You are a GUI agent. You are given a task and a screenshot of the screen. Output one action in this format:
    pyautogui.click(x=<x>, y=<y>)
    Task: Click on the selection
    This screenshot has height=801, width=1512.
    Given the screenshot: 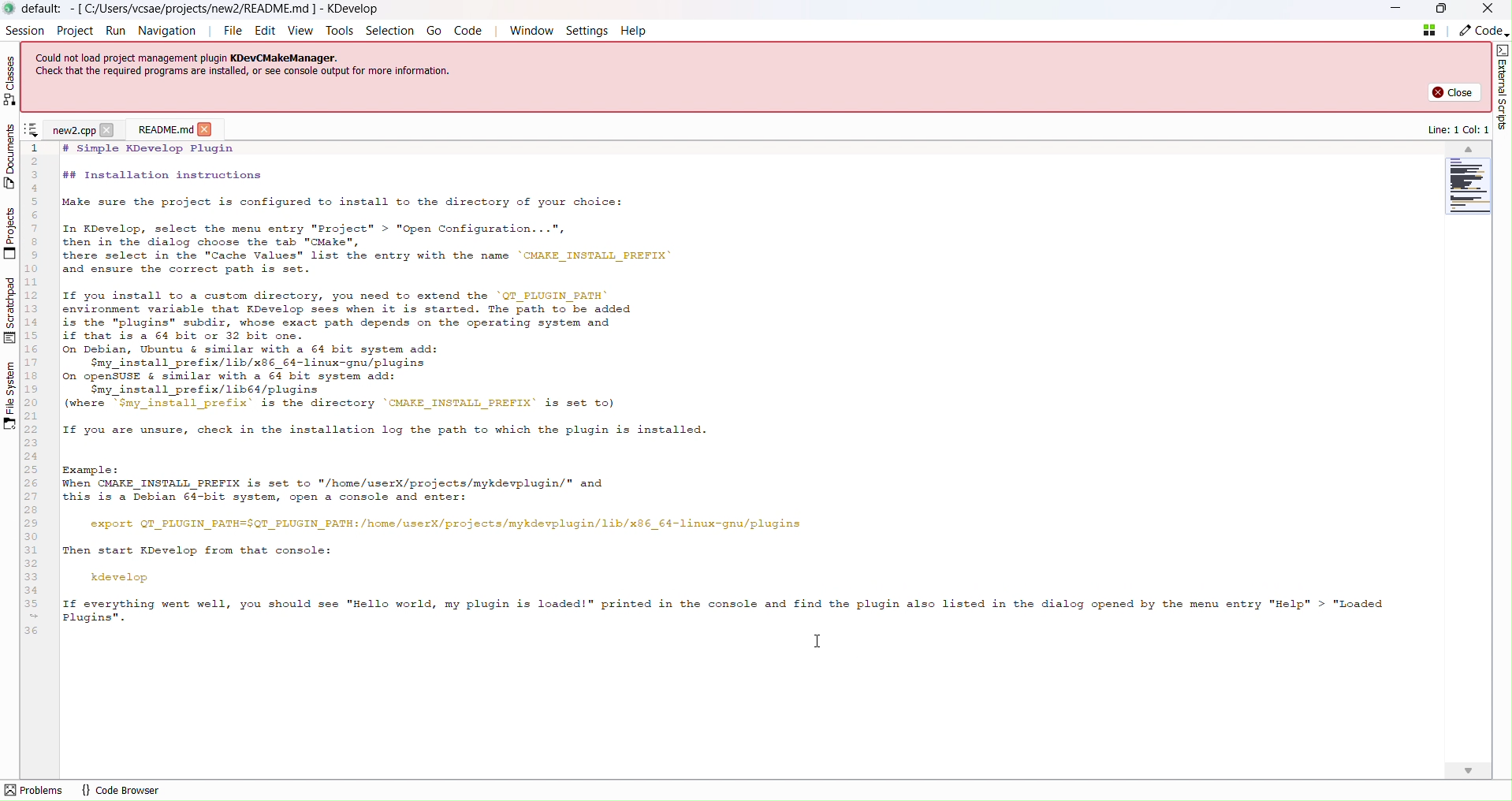 What is the action you would take?
    pyautogui.click(x=390, y=30)
    